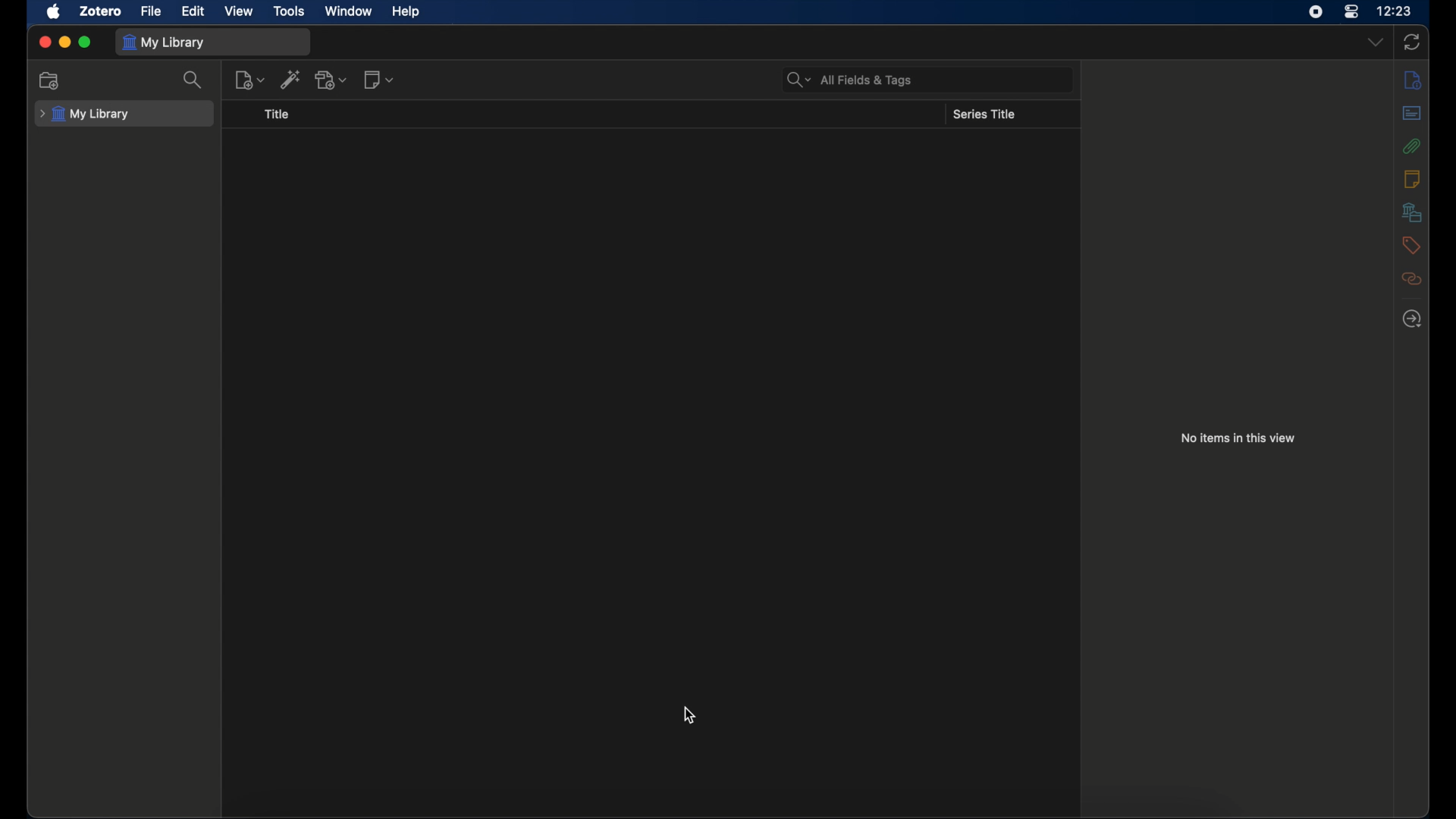 The width and height of the screenshot is (1456, 819). What do you see at coordinates (193, 11) in the screenshot?
I see `edit` at bounding box center [193, 11].